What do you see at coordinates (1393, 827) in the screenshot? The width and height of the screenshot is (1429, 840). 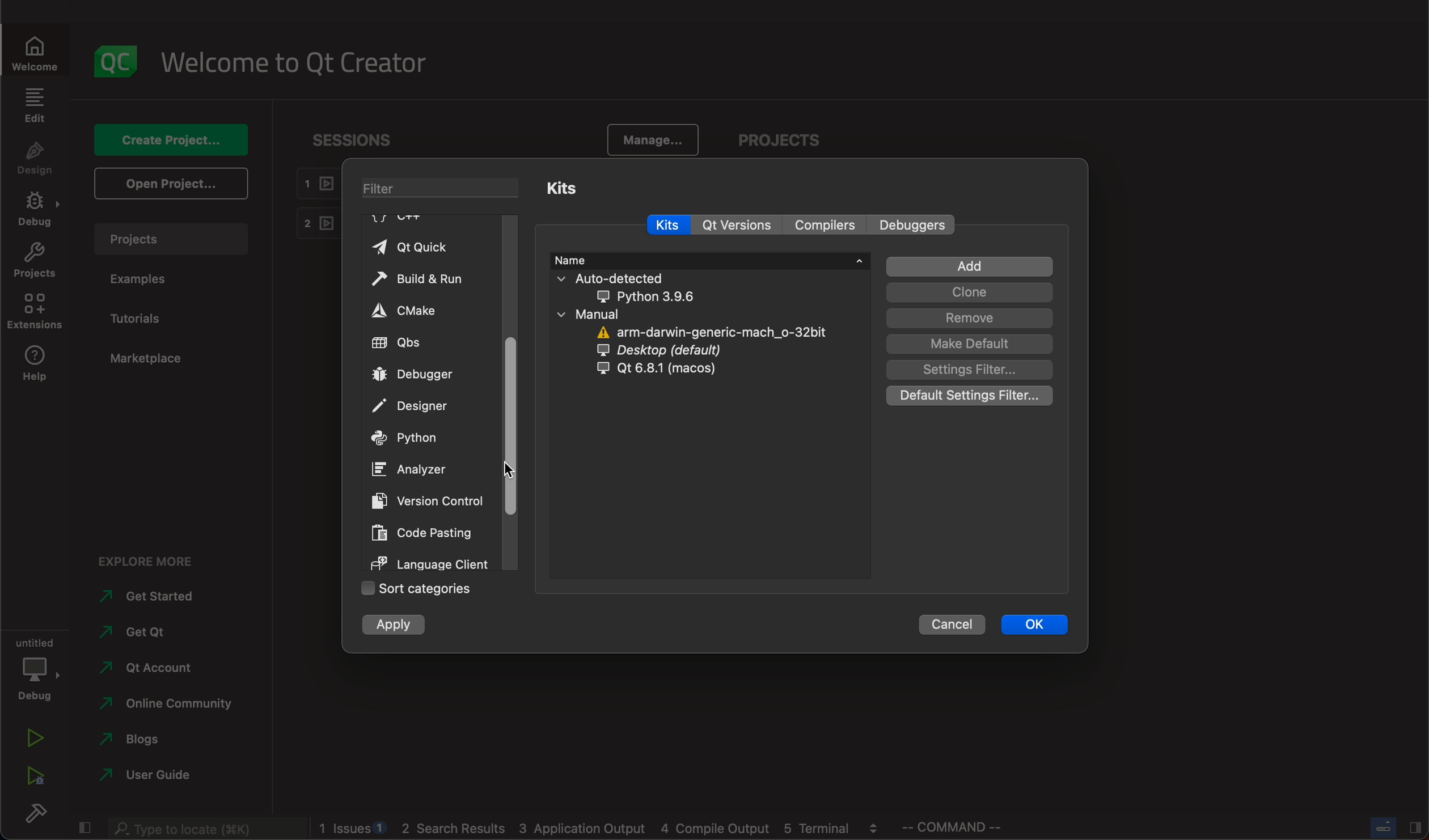 I see `close slide bar` at bounding box center [1393, 827].